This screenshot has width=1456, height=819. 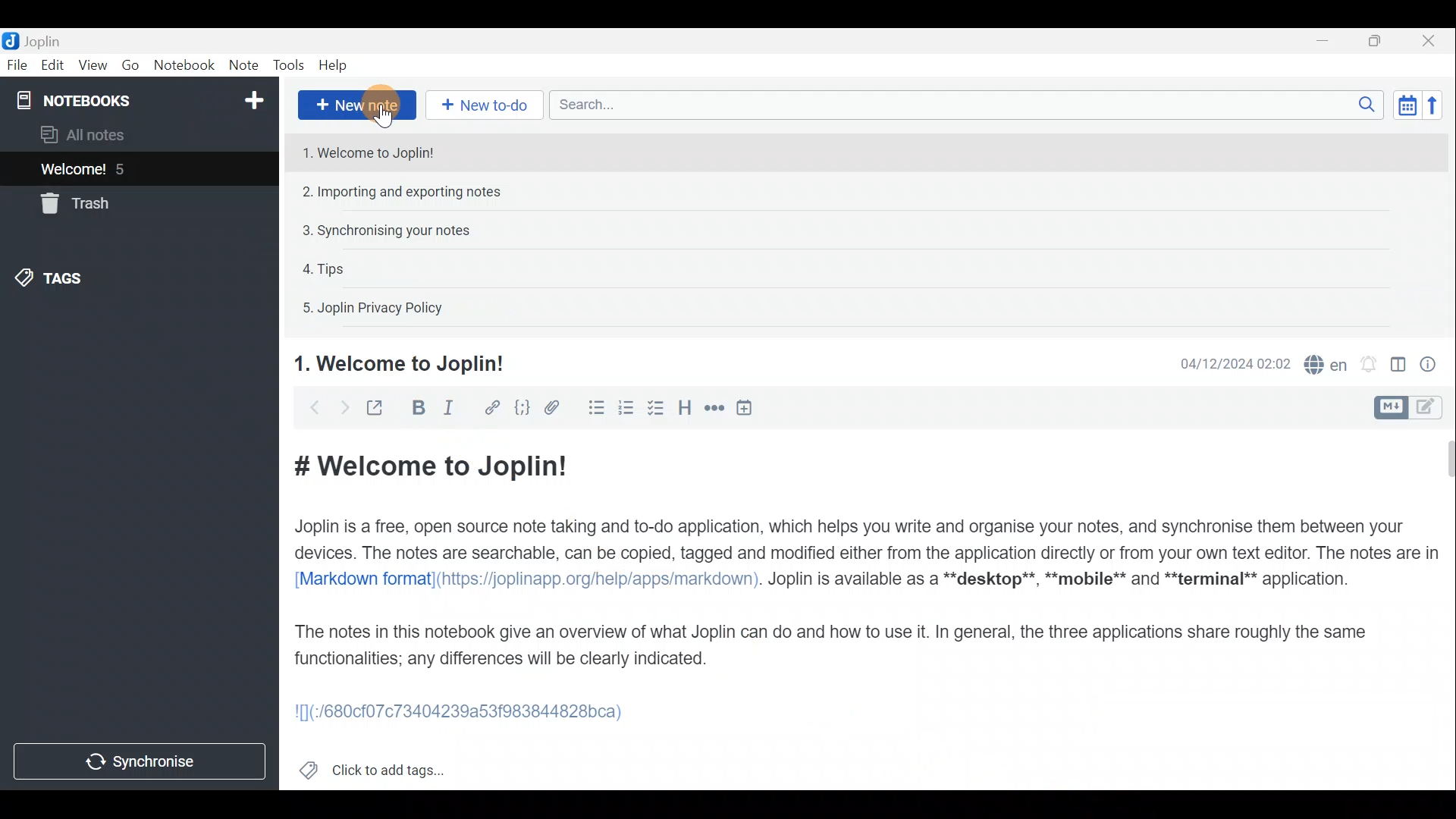 I want to click on All notes, so click(x=108, y=134).